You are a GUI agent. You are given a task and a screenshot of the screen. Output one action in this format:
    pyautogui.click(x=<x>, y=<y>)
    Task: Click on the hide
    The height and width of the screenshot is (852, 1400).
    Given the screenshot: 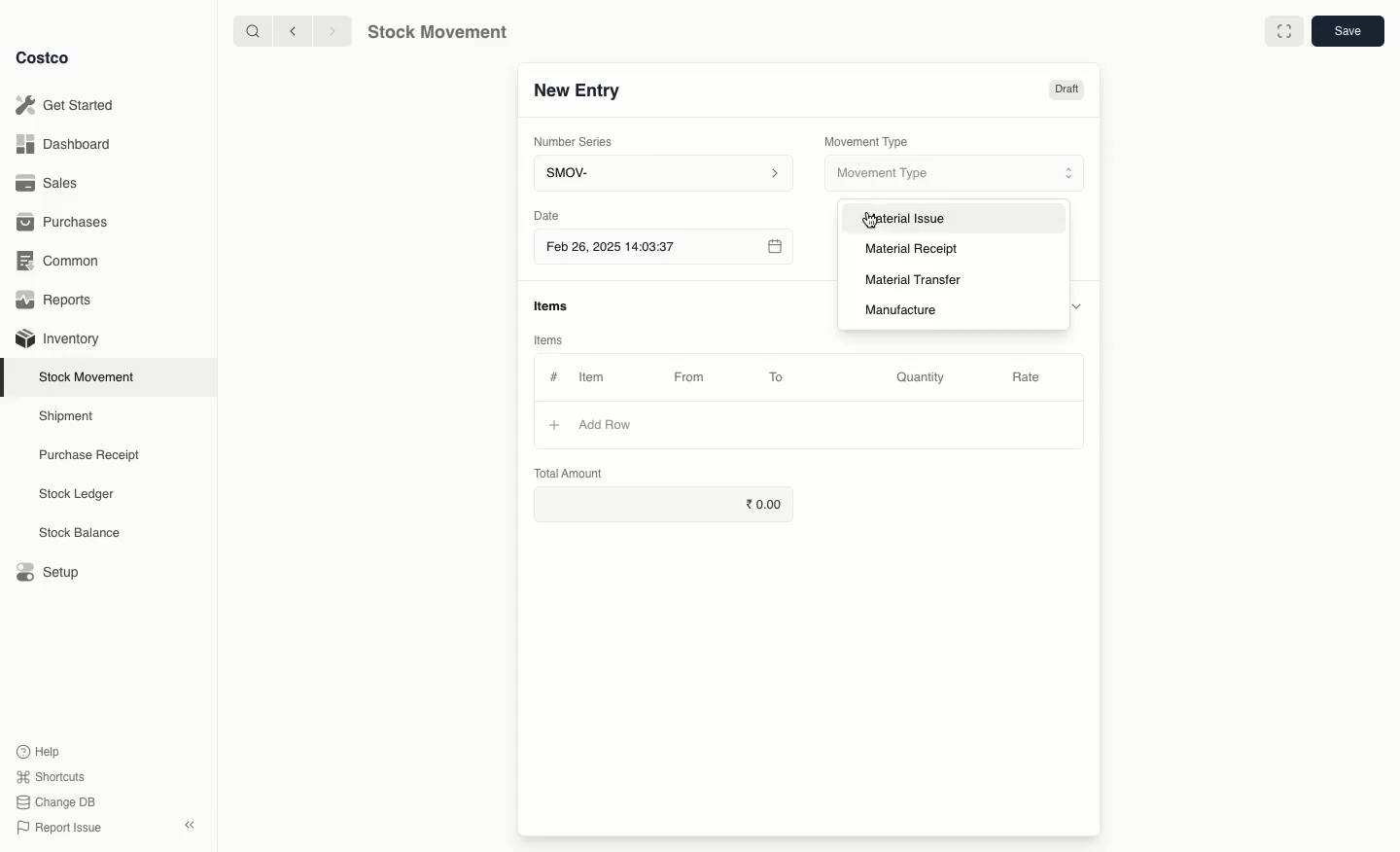 What is the action you would take?
    pyautogui.click(x=1079, y=304)
    